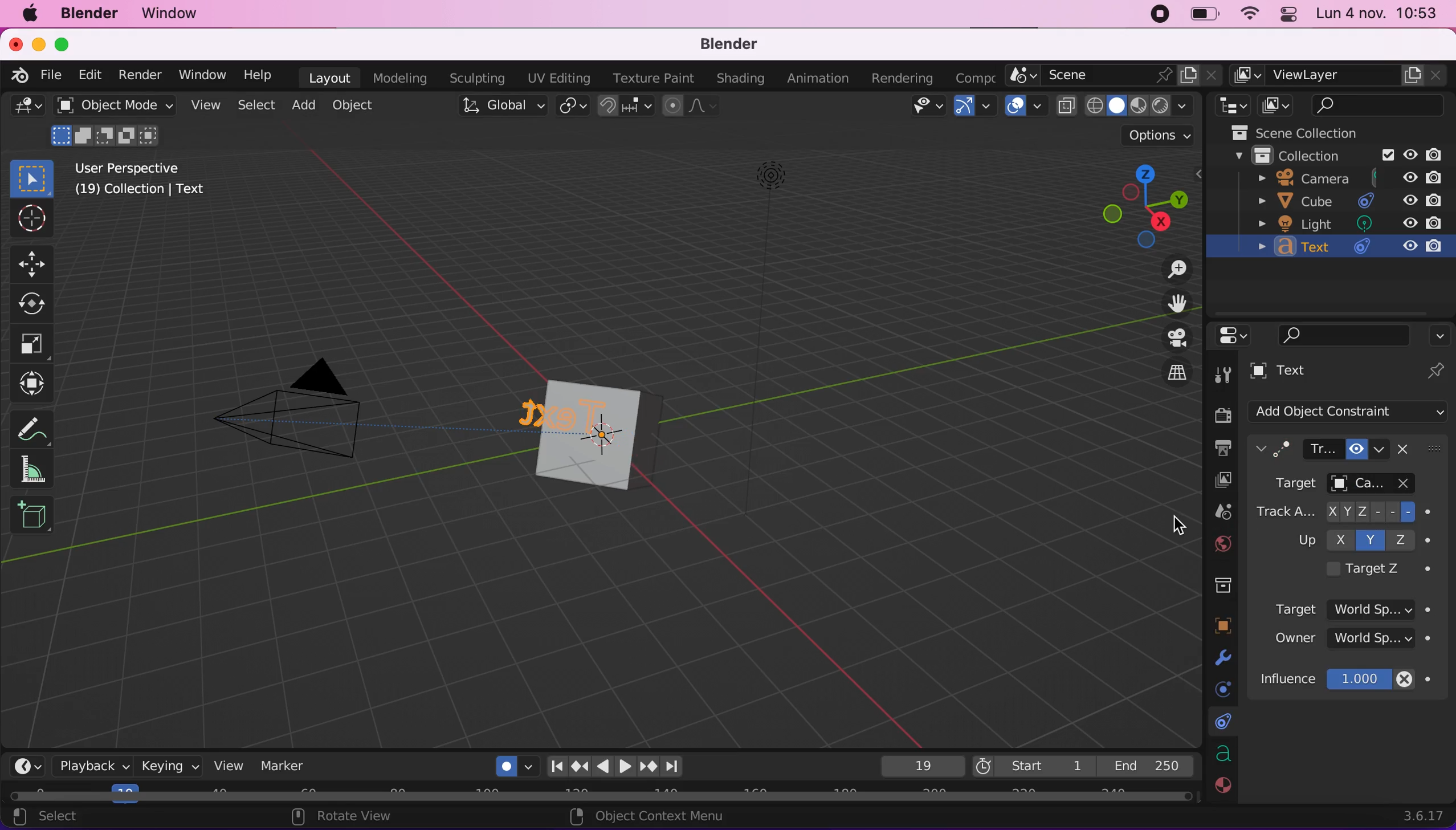 This screenshot has width=1456, height=830. What do you see at coordinates (904, 78) in the screenshot?
I see `rendering` at bounding box center [904, 78].